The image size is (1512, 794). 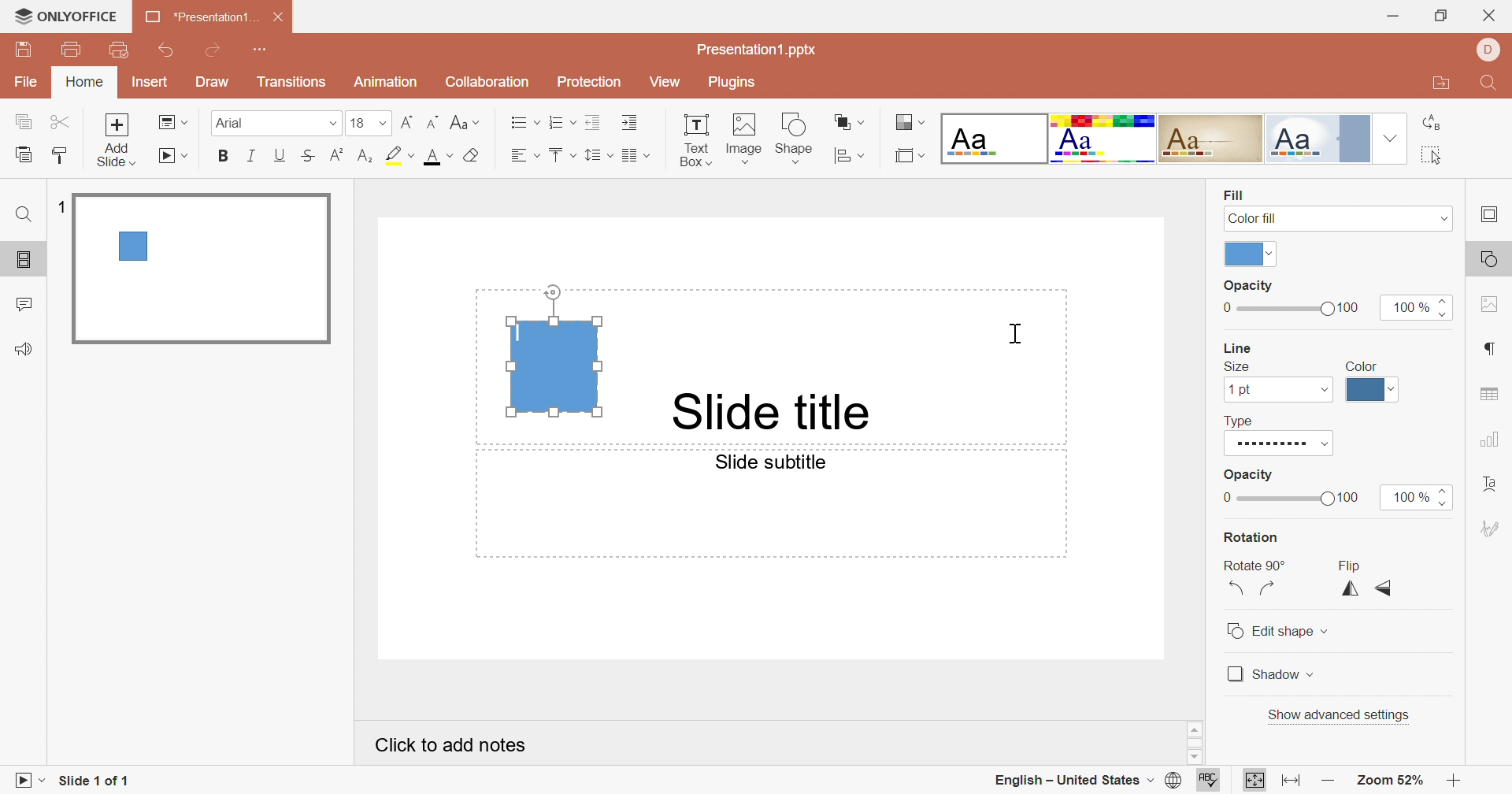 What do you see at coordinates (1262, 677) in the screenshot?
I see `Shadow` at bounding box center [1262, 677].